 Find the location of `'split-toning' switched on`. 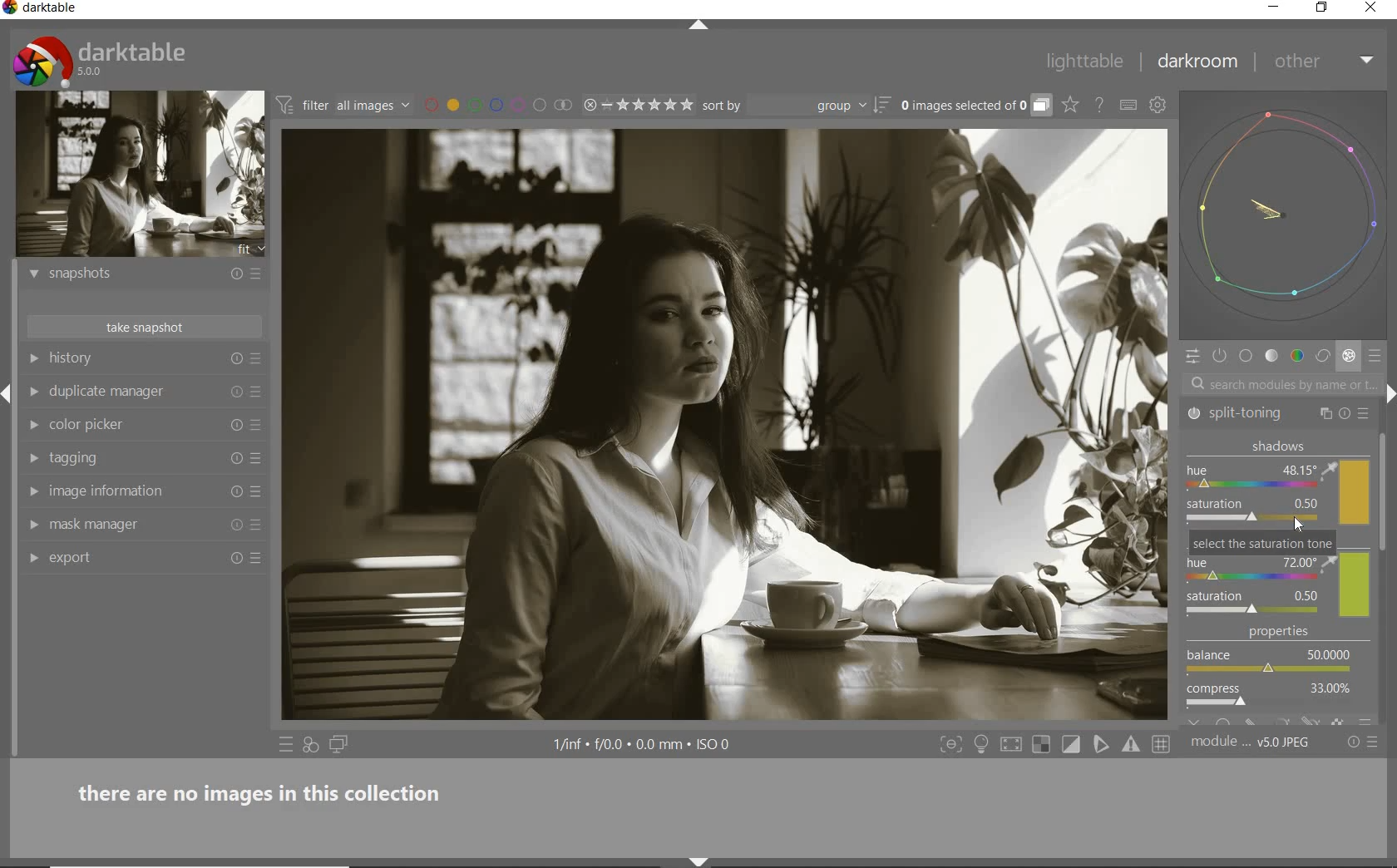

'split-toning' switched on is located at coordinates (1197, 413).